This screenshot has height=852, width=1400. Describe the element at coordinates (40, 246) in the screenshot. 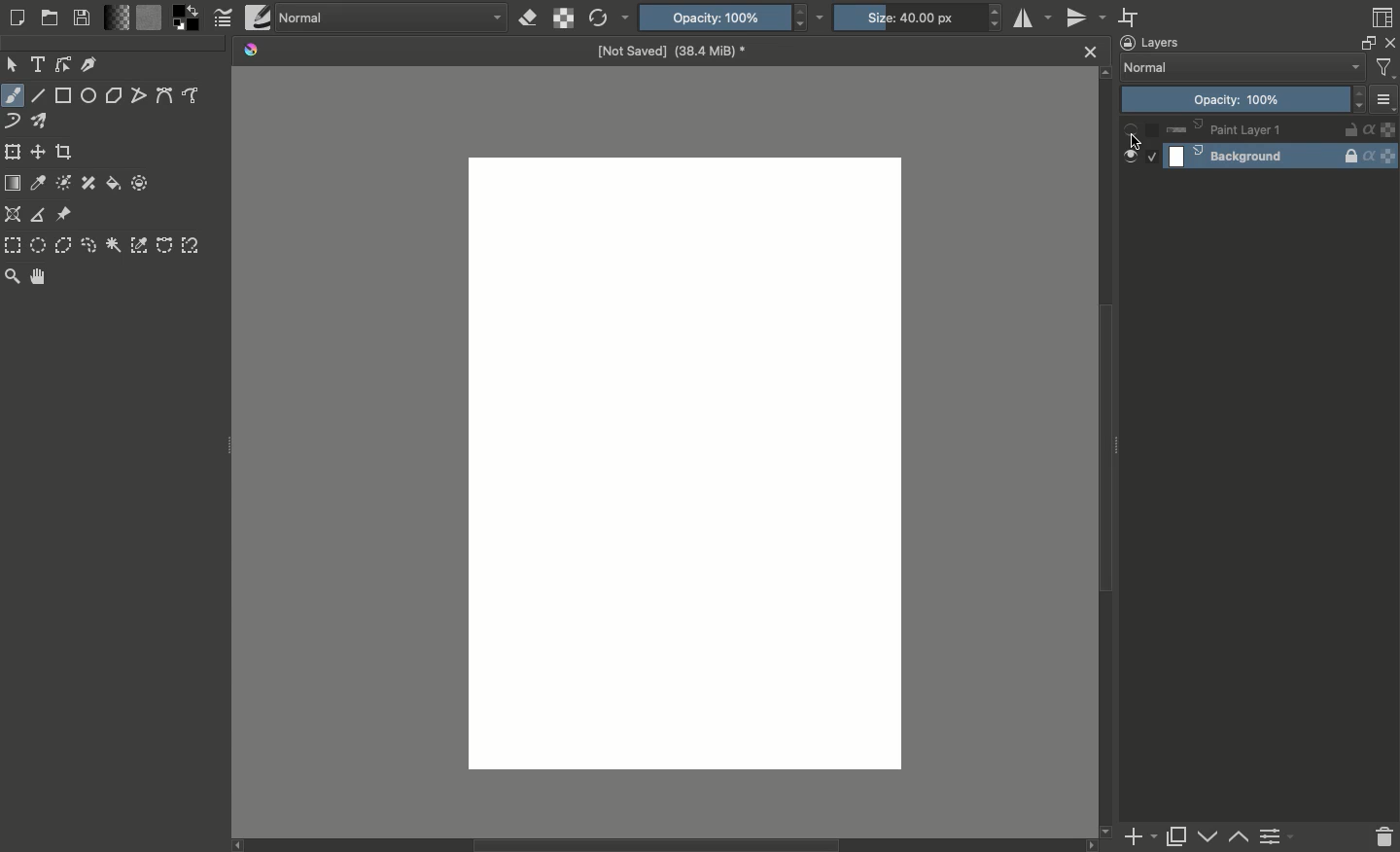

I see `Elliptical selection tool` at that location.